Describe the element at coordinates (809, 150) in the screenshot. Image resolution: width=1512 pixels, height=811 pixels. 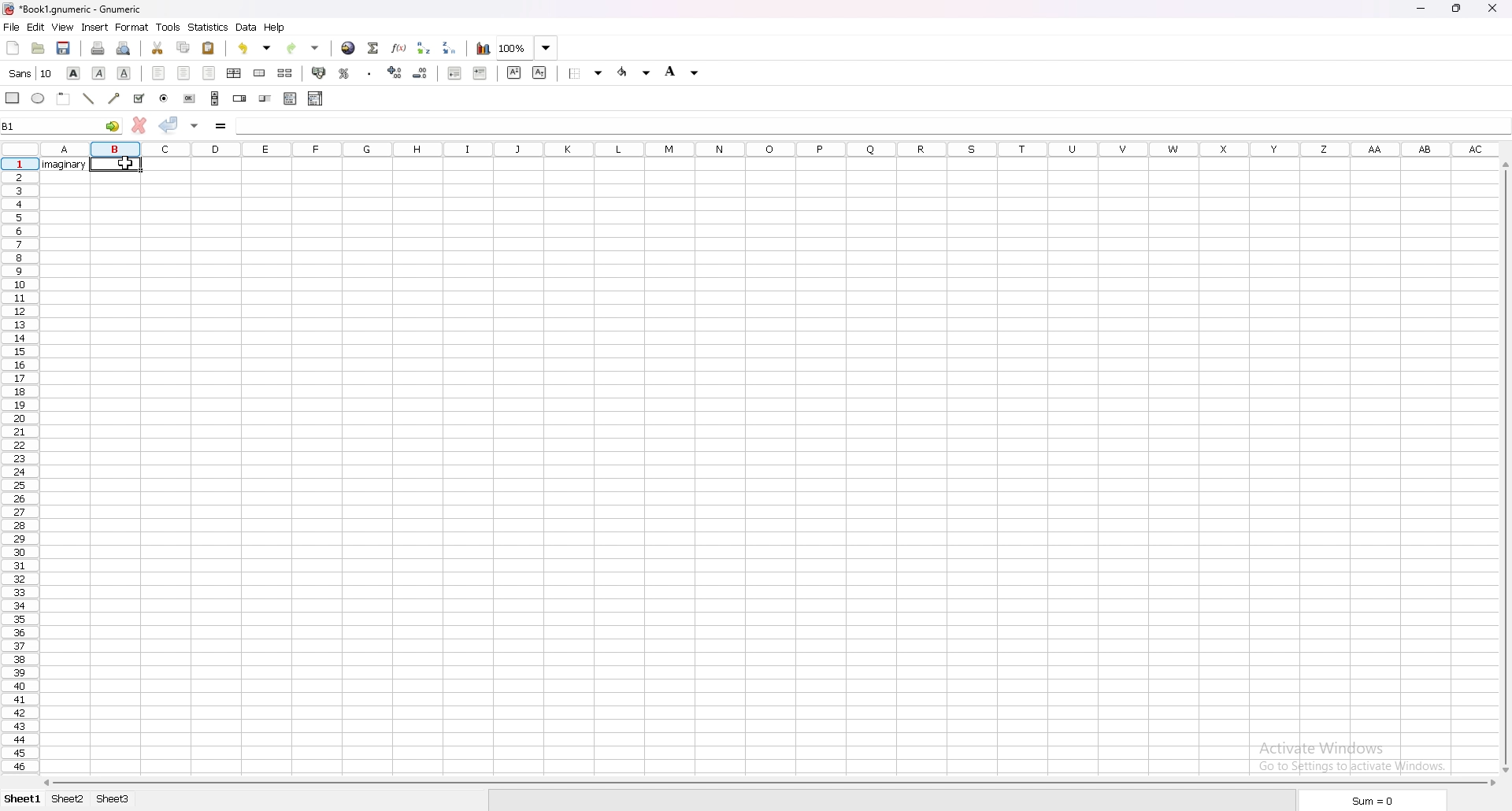
I see `Rows` at that location.